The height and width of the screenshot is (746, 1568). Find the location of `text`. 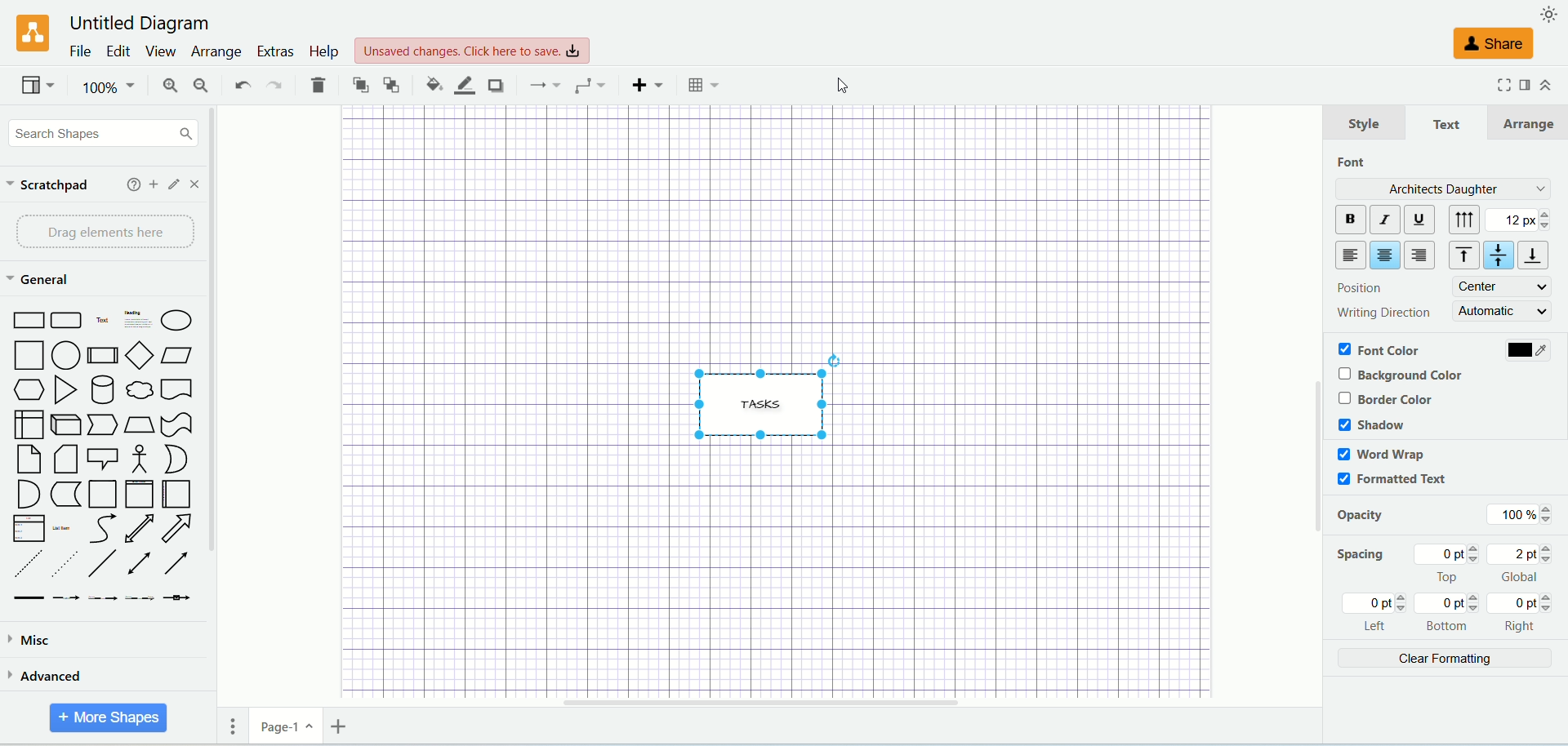

text is located at coordinates (1447, 125).